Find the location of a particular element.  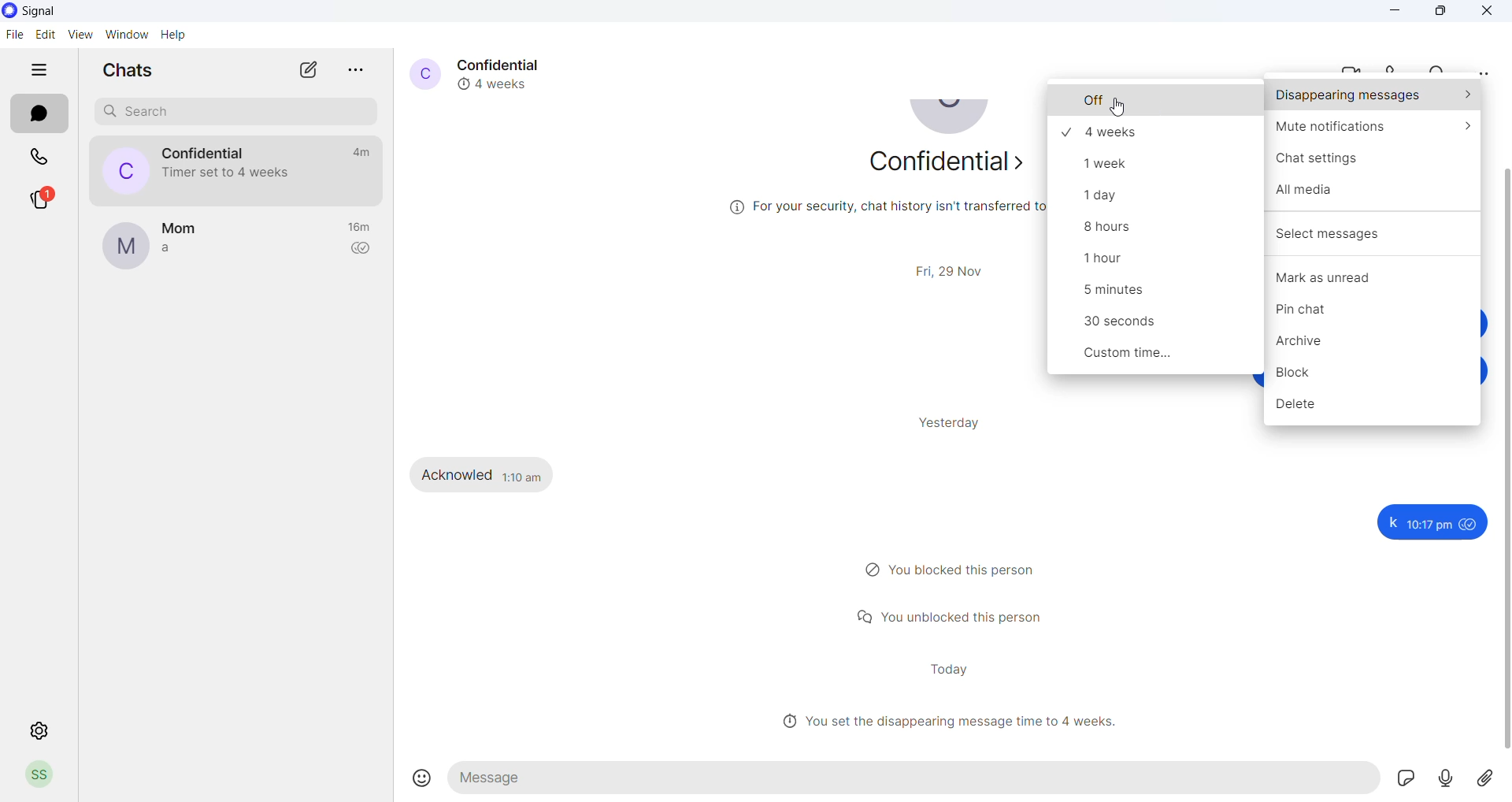

help is located at coordinates (174, 35).